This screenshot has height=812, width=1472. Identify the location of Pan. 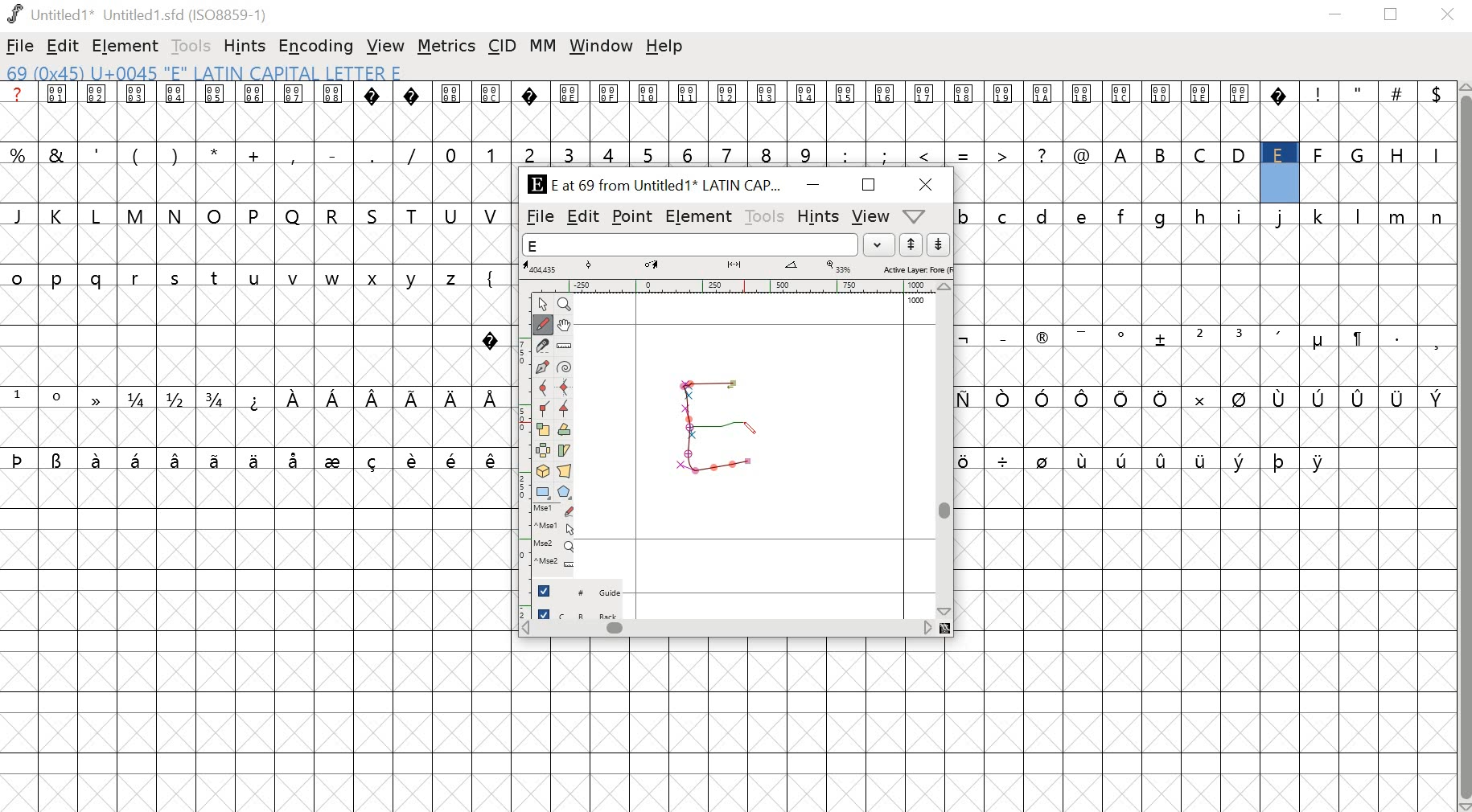
(567, 325).